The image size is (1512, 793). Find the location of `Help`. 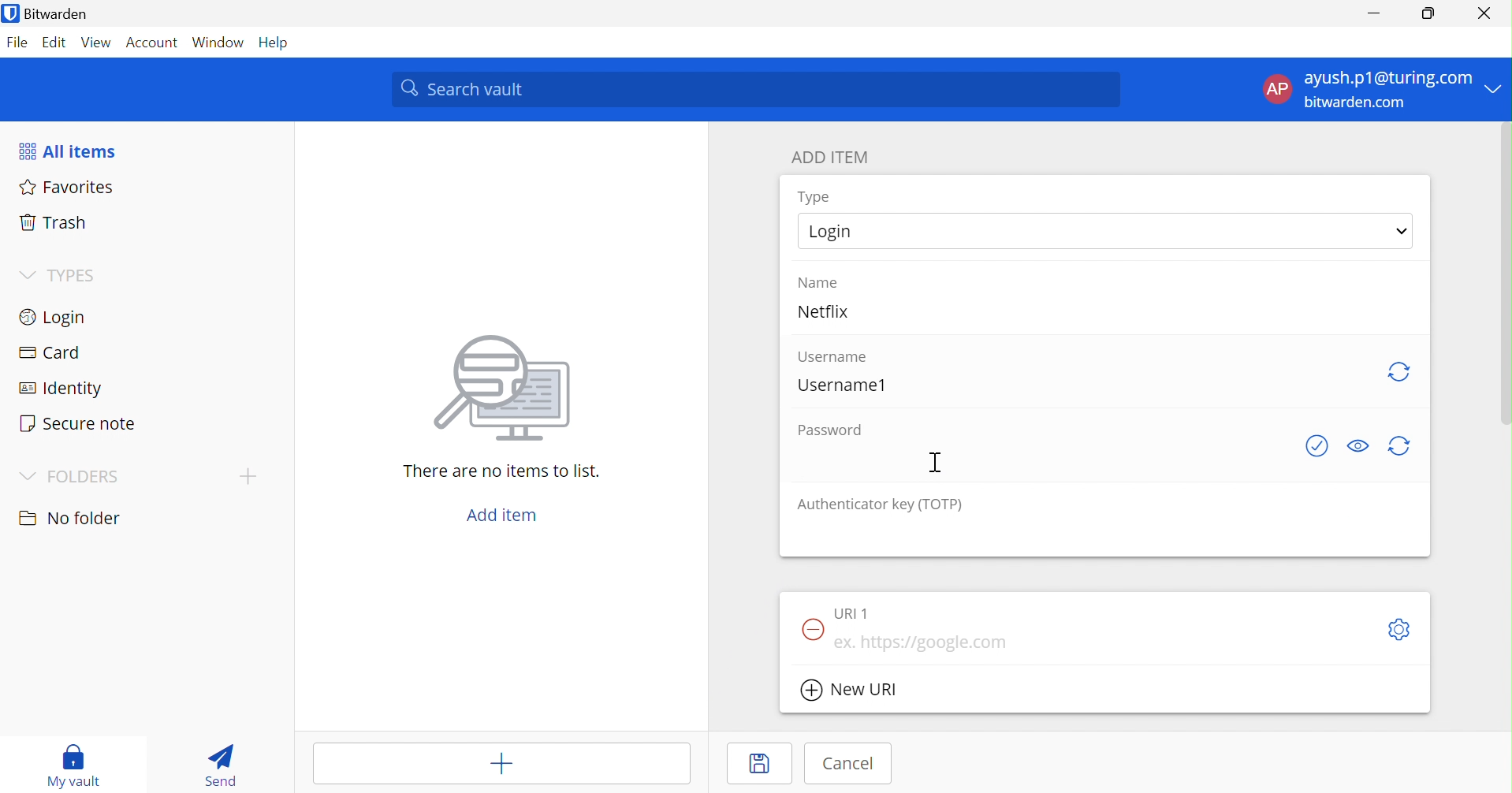

Help is located at coordinates (275, 43).